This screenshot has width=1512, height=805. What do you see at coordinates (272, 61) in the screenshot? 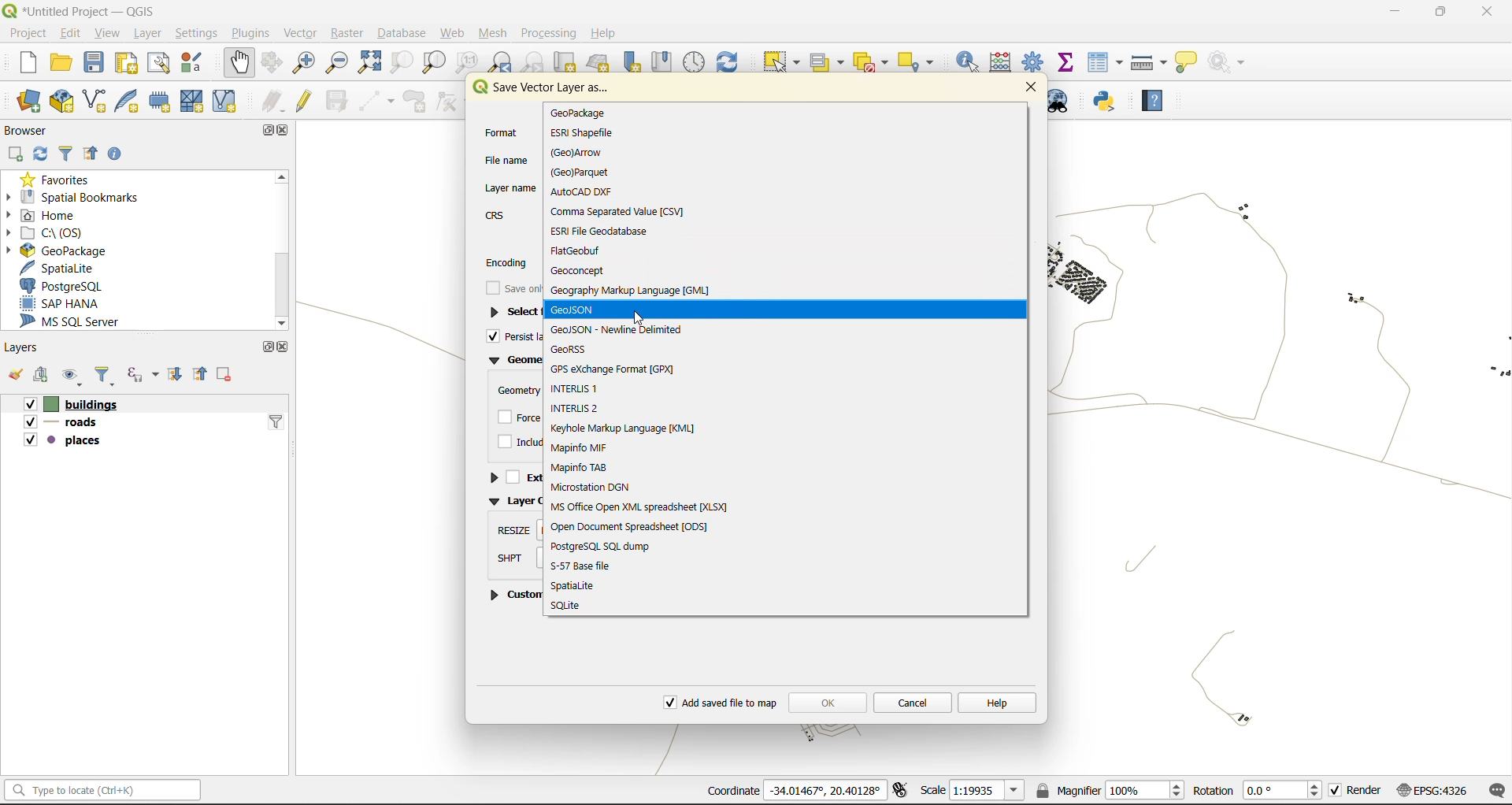
I see `pan selection` at bounding box center [272, 61].